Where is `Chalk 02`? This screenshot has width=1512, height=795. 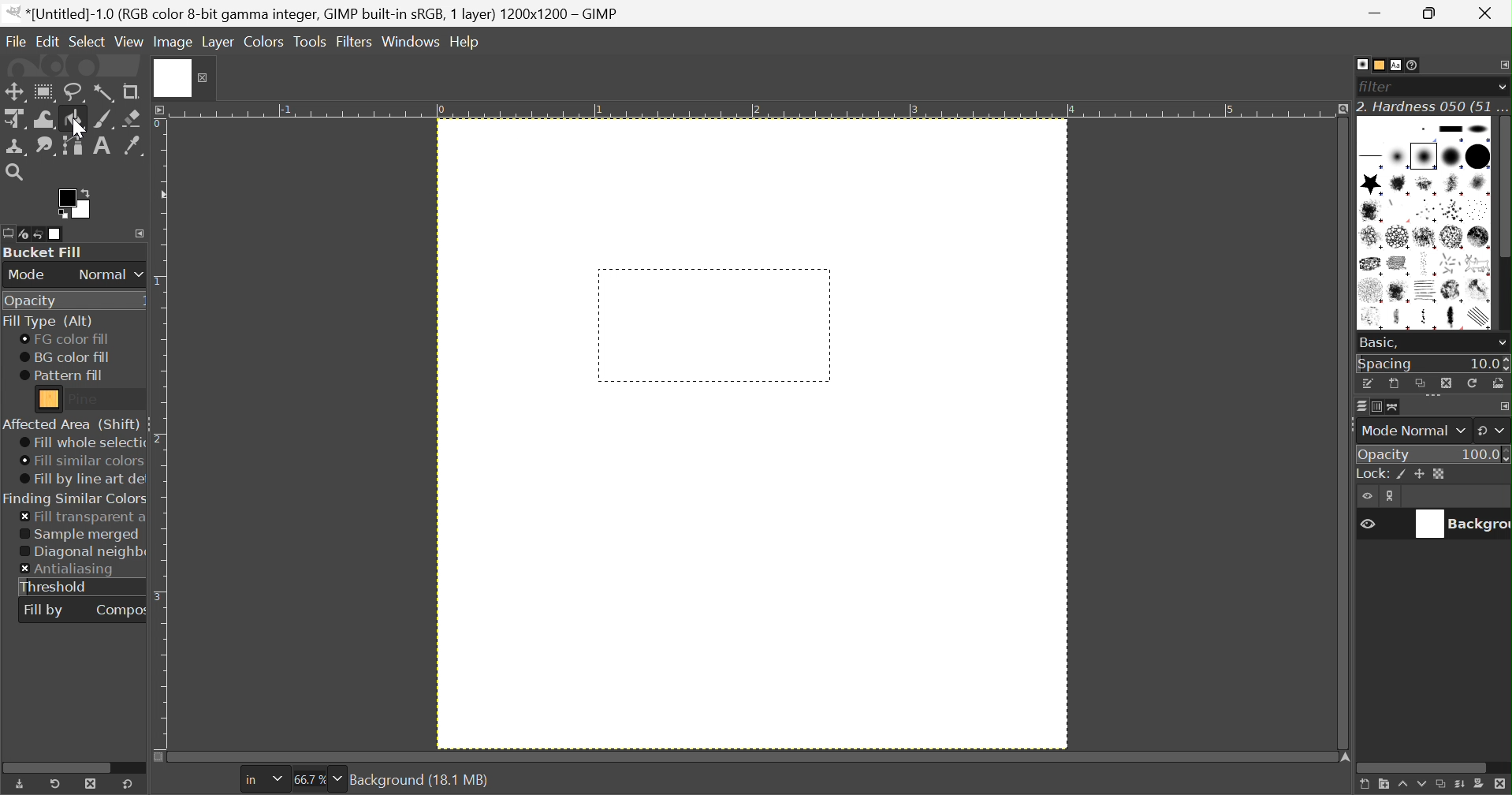 Chalk 02 is located at coordinates (1451, 237).